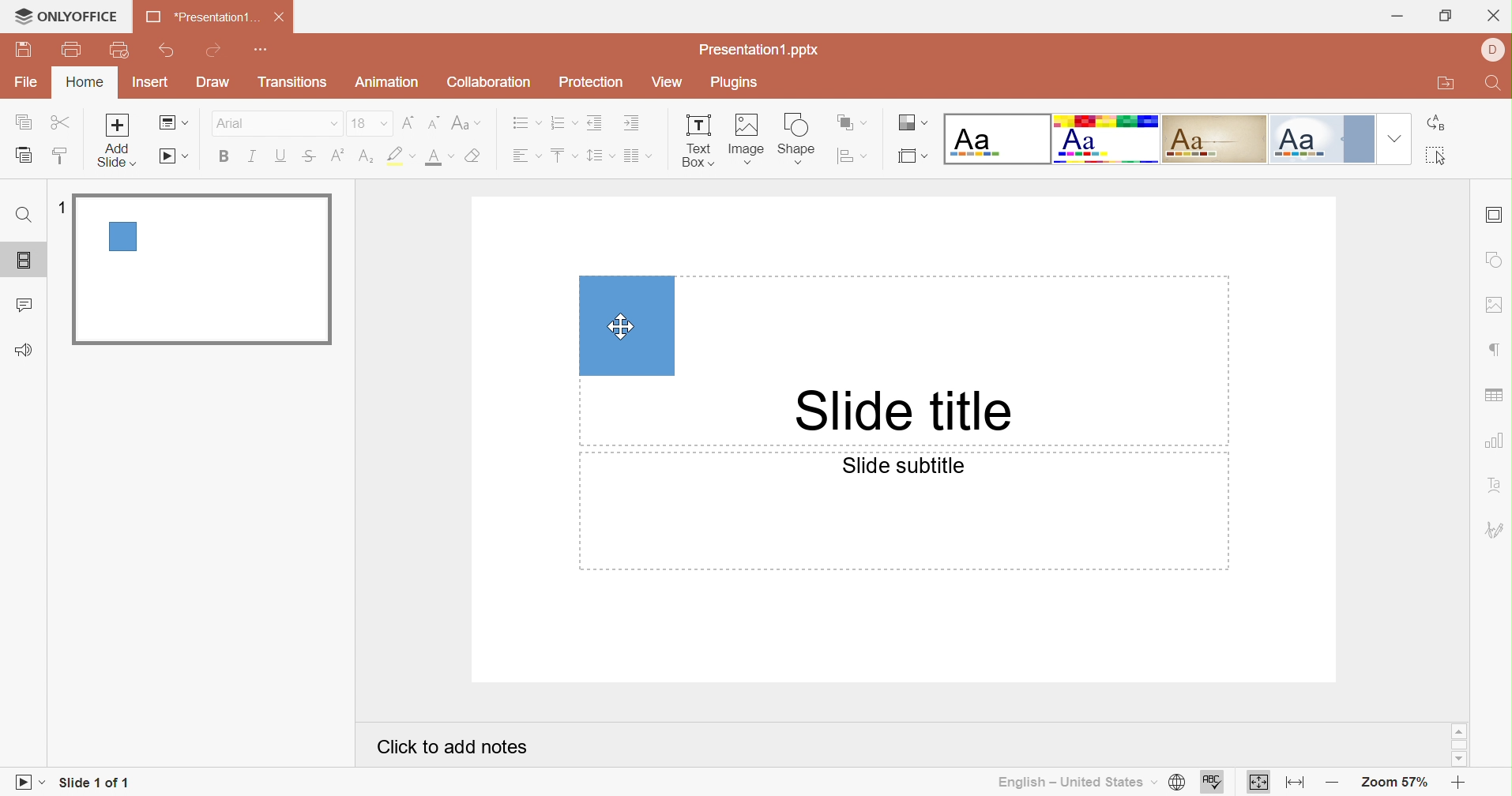 This screenshot has width=1512, height=796. I want to click on cursor, so click(622, 326).